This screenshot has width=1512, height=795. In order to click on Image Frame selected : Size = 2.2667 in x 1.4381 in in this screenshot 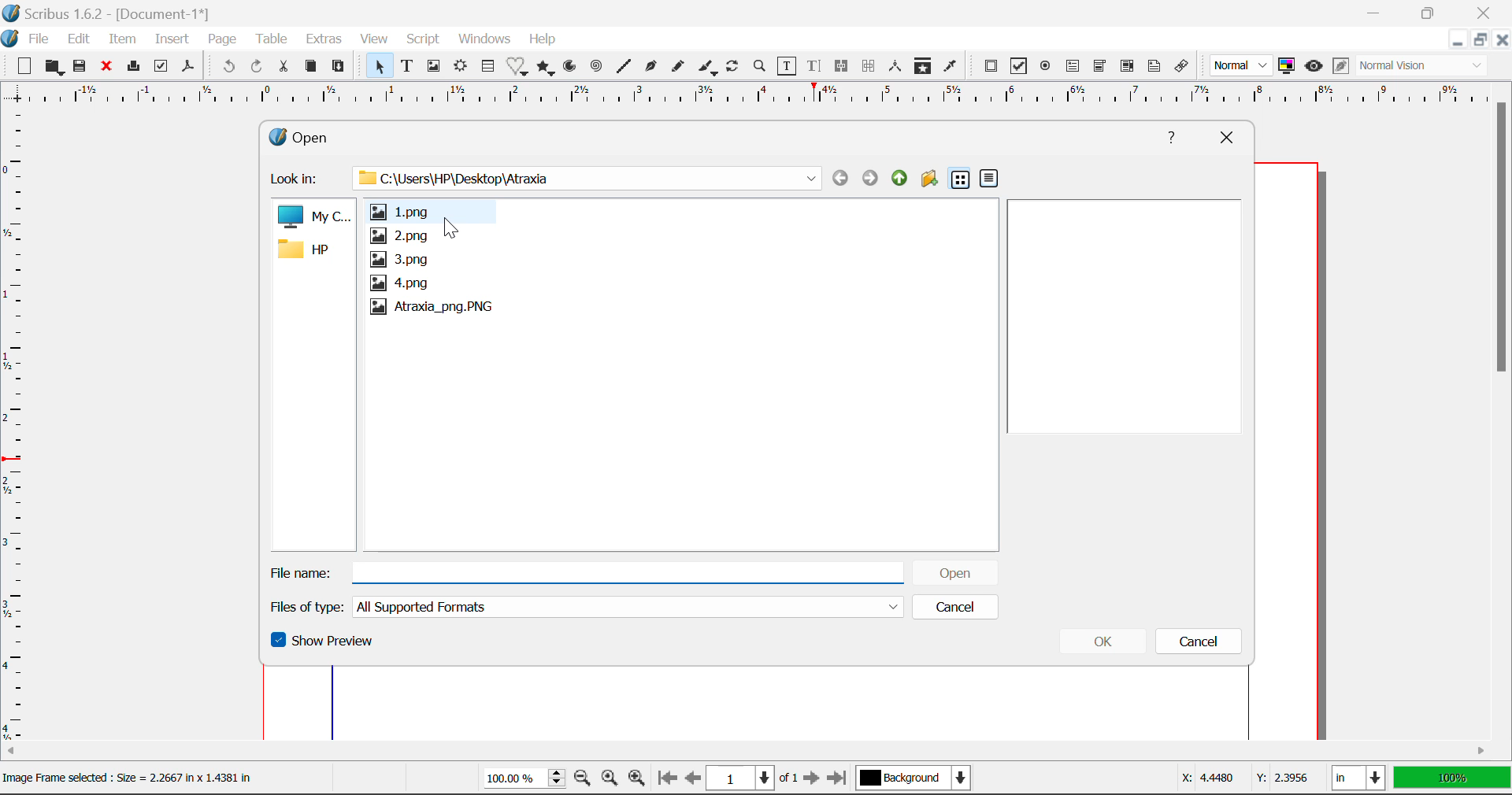, I will do `click(131, 778)`.